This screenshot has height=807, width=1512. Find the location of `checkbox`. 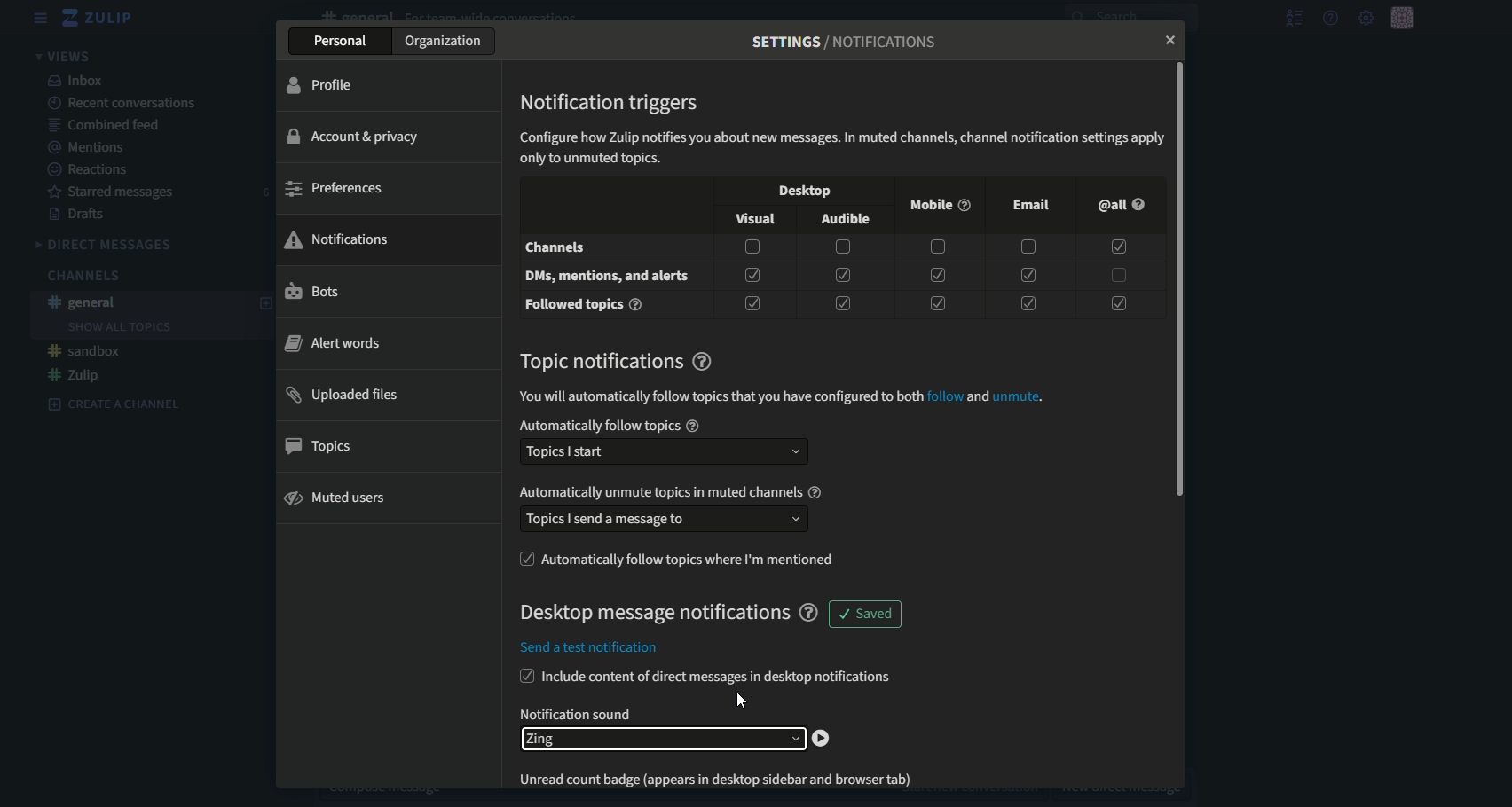

checkbox is located at coordinates (842, 275).